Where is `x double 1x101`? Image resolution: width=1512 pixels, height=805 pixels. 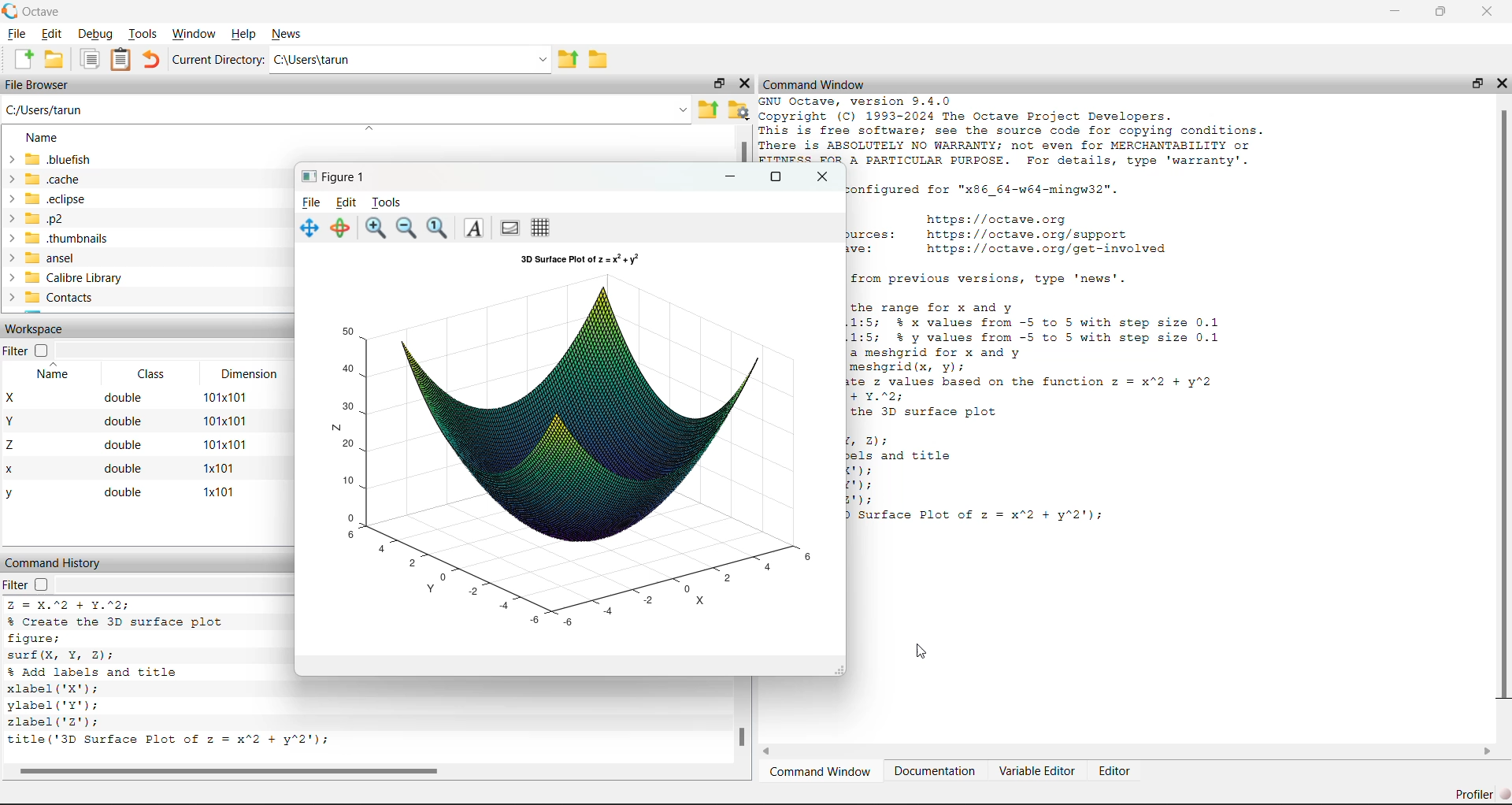
x double 1x101 is located at coordinates (130, 469).